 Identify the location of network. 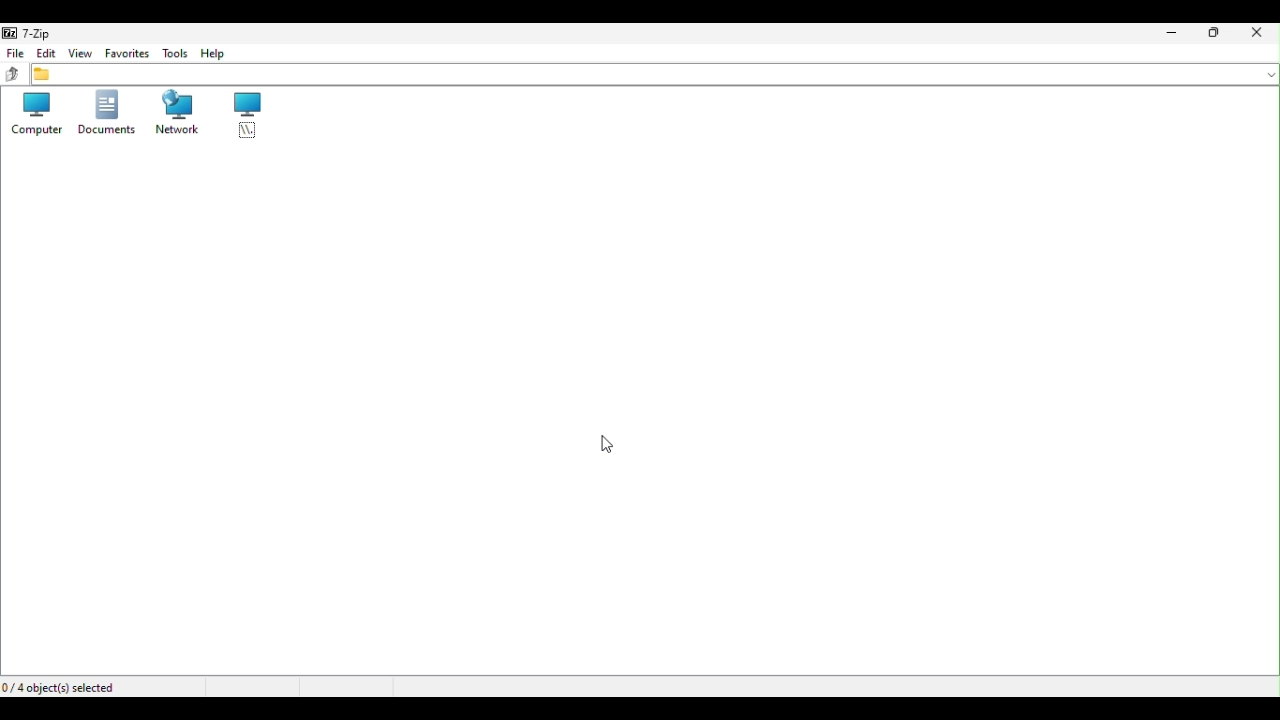
(176, 116).